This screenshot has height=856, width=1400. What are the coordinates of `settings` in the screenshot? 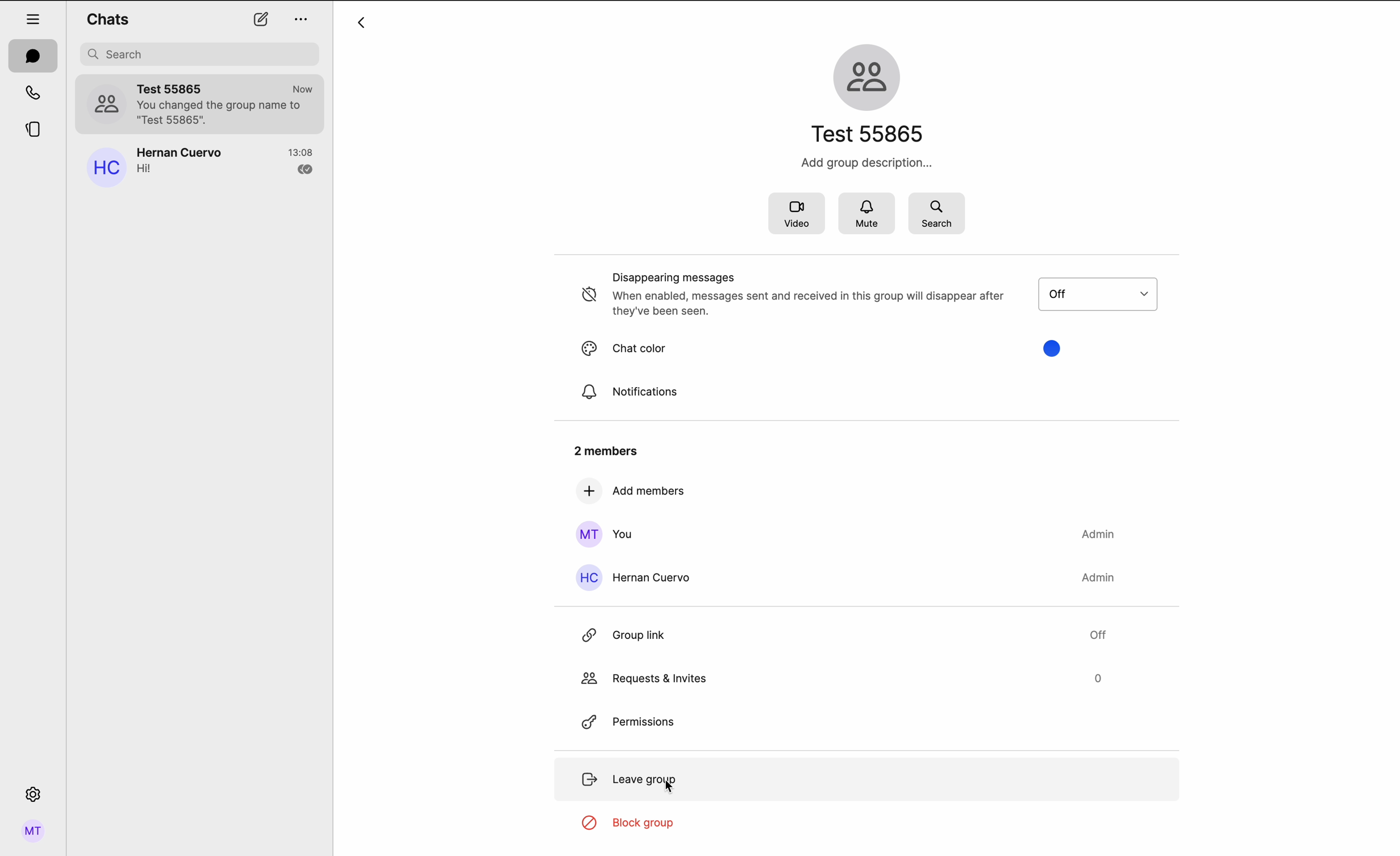 It's located at (34, 792).